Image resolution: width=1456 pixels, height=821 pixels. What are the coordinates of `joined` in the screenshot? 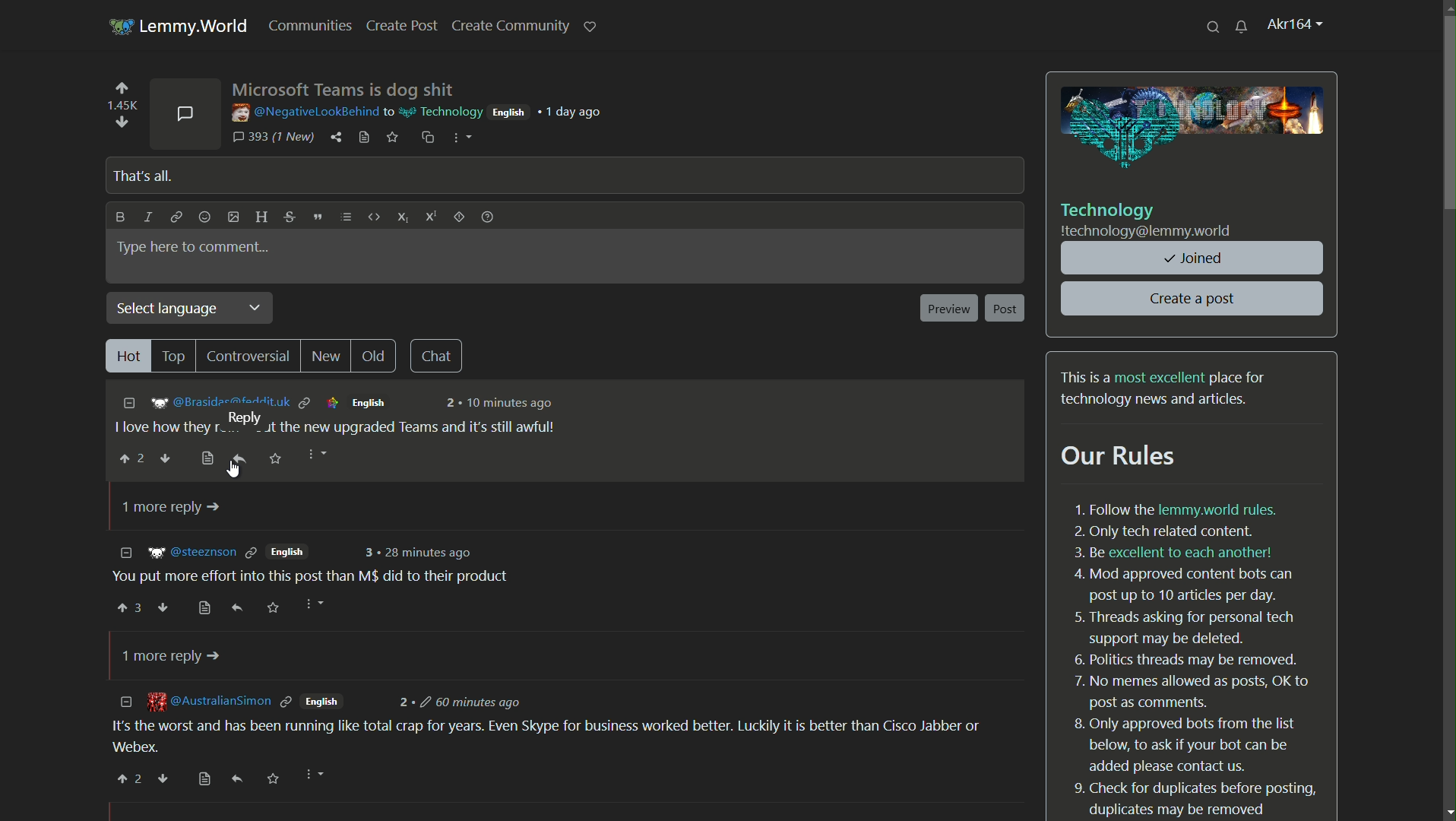 It's located at (1194, 258).